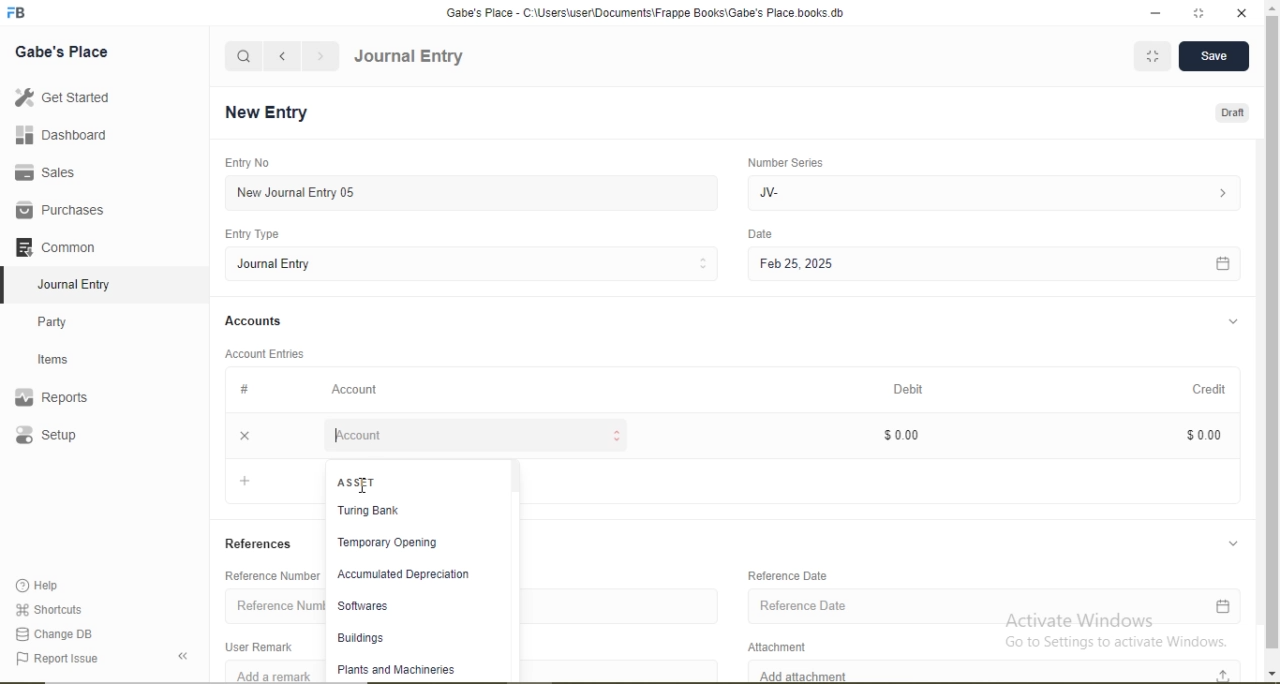 The image size is (1280, 684). What do you see at coordinates (281, 56) in the screenshot?
I see `navigate backward` at bounding box center [281, 56].